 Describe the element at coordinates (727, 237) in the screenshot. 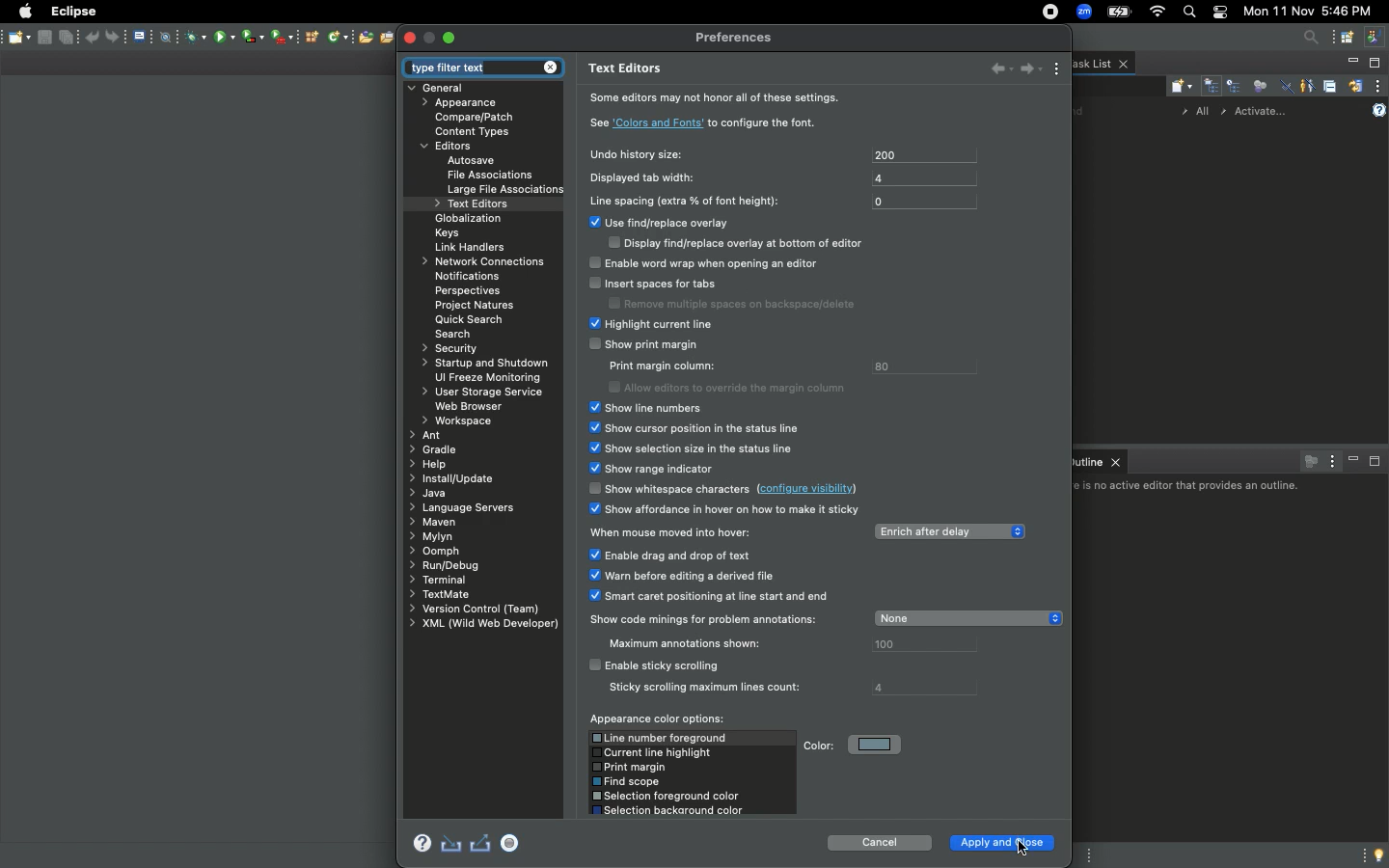

I see `Use find/replace overlay` at that location.